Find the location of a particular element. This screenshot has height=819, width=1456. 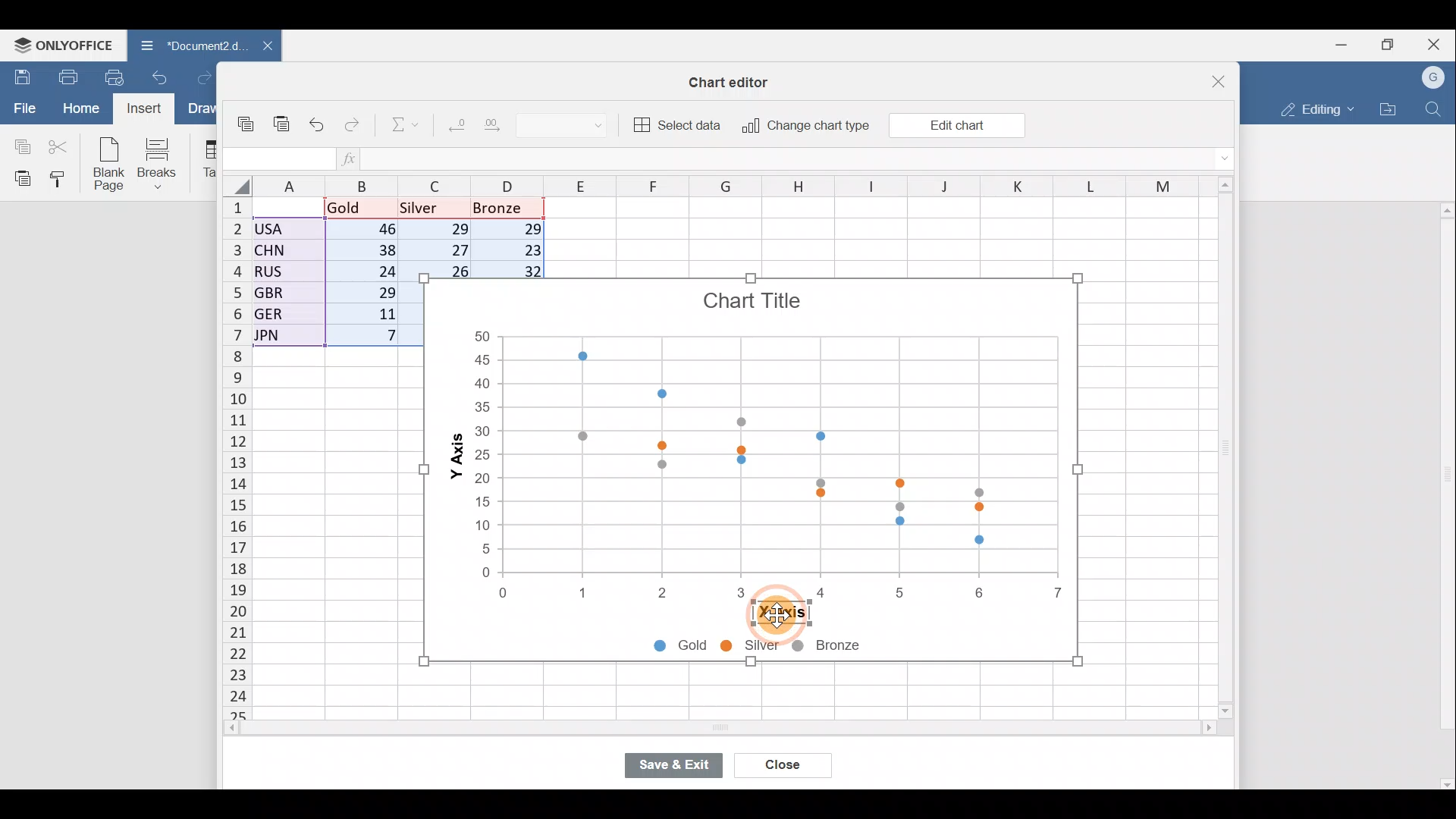

Save & exit is located at coordinates (674, 764).